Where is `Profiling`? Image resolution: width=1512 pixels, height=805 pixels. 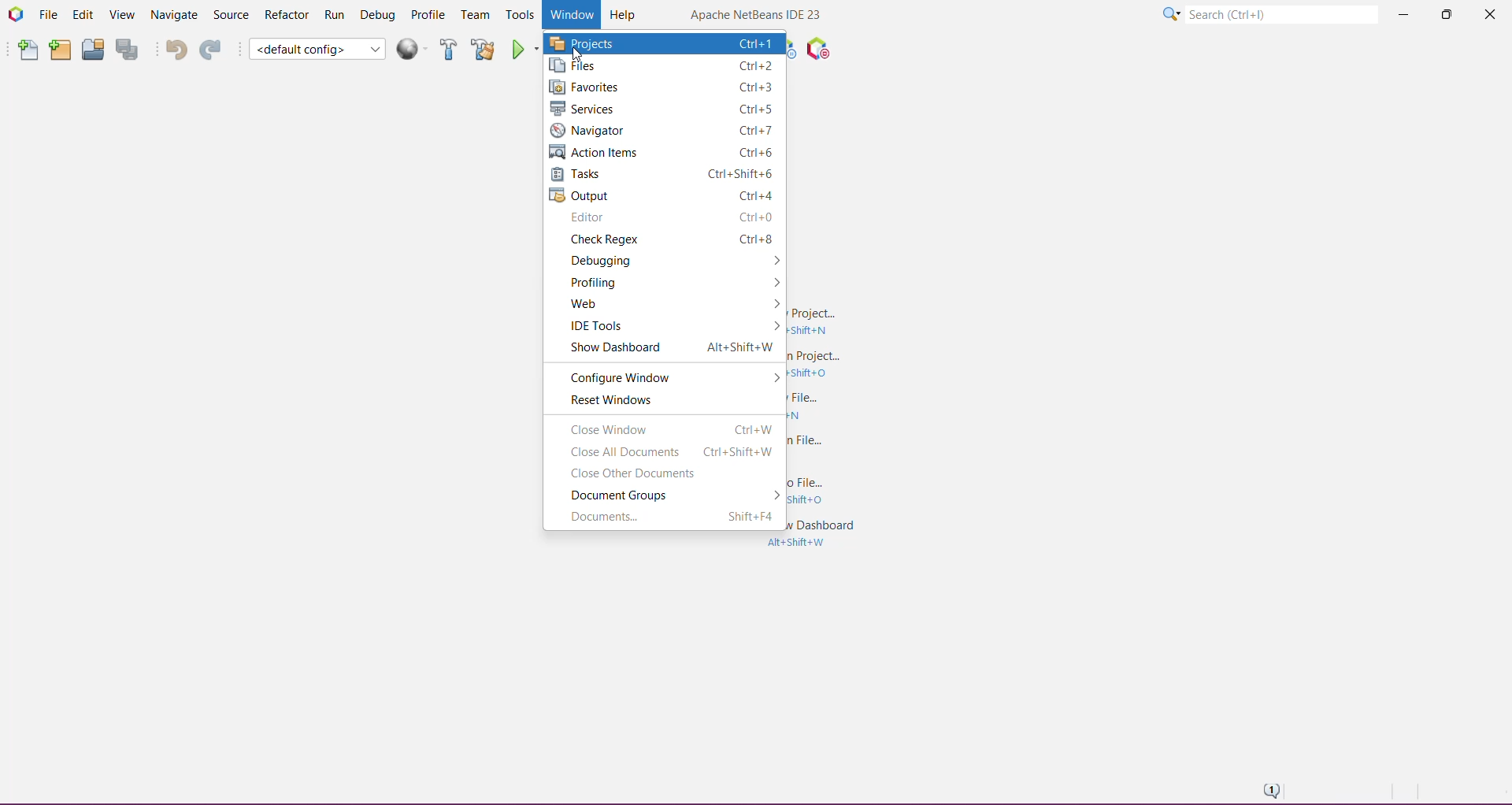
Profiling is located at coordinates (602, 282).